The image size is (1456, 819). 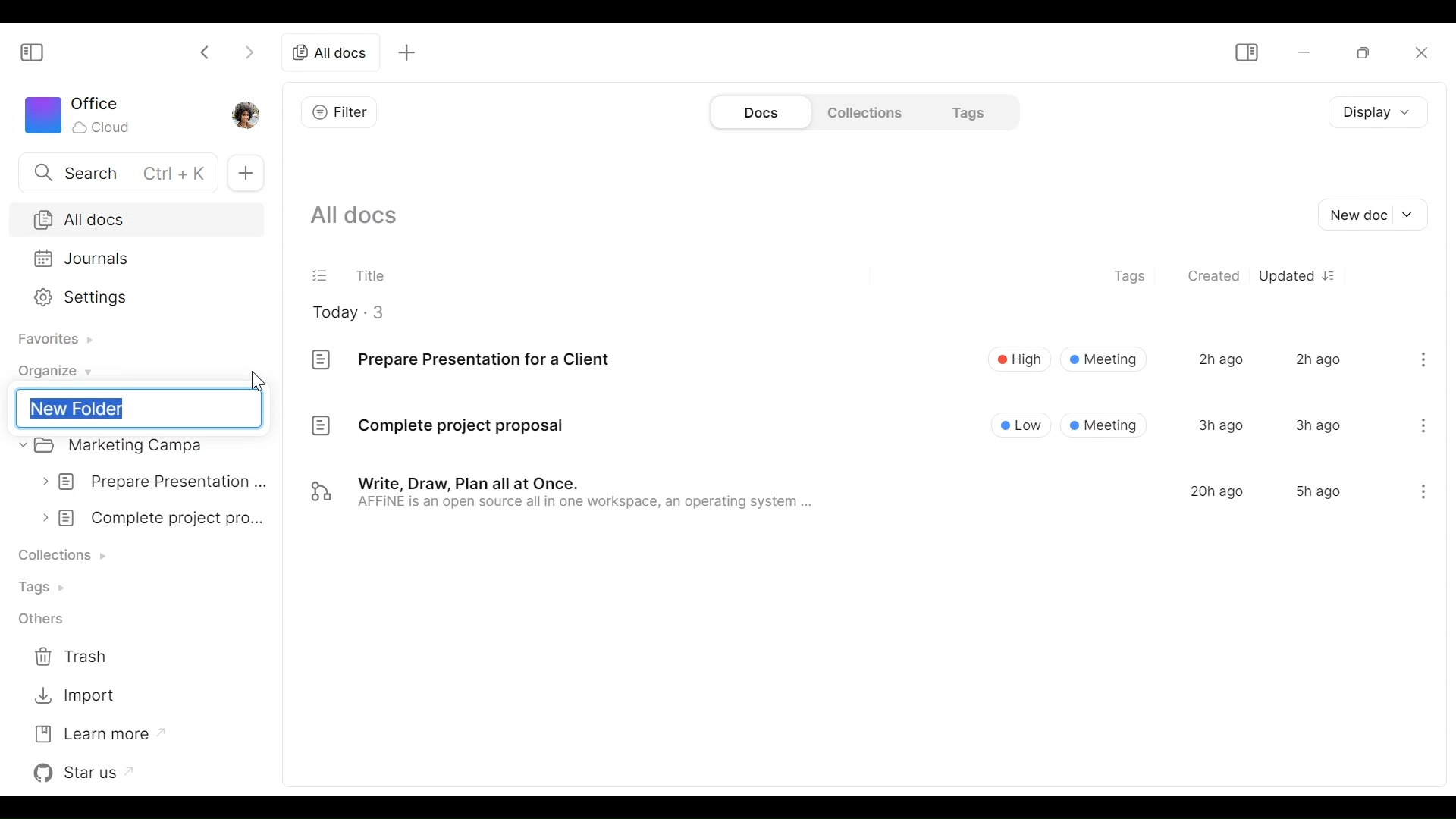 What do you see at coordinates (1018, 358) in the screenshot?
I see `High` at bounding box center [1018, 358].